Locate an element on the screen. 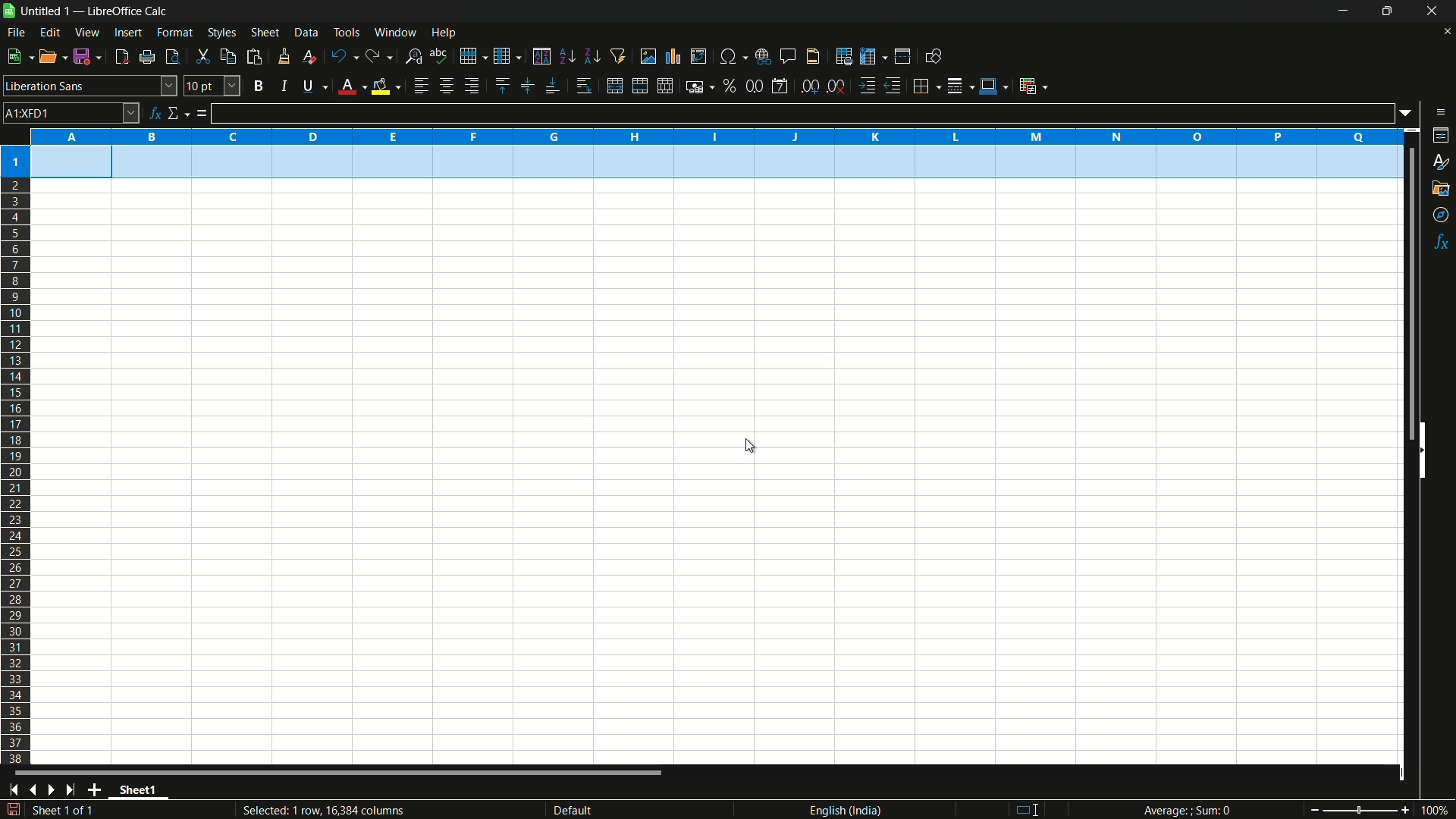 The height and width of the screenshot is (819, 1456). cell name is located at coordinates (71, 112).